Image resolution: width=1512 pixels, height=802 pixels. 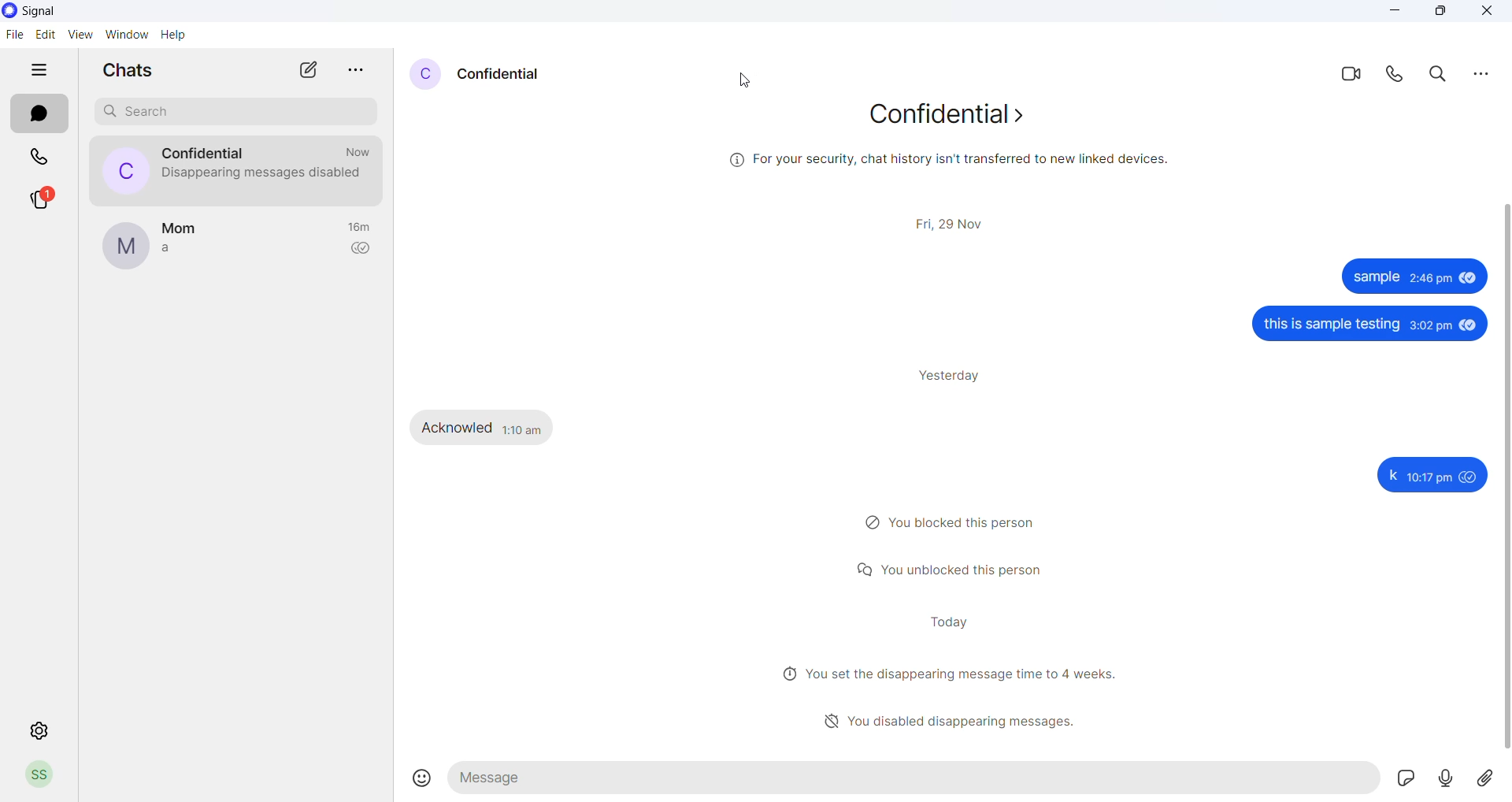 What do you see at coordinates (422, 74) in the screenshot?
I see `` at bounding box center [422, 74].